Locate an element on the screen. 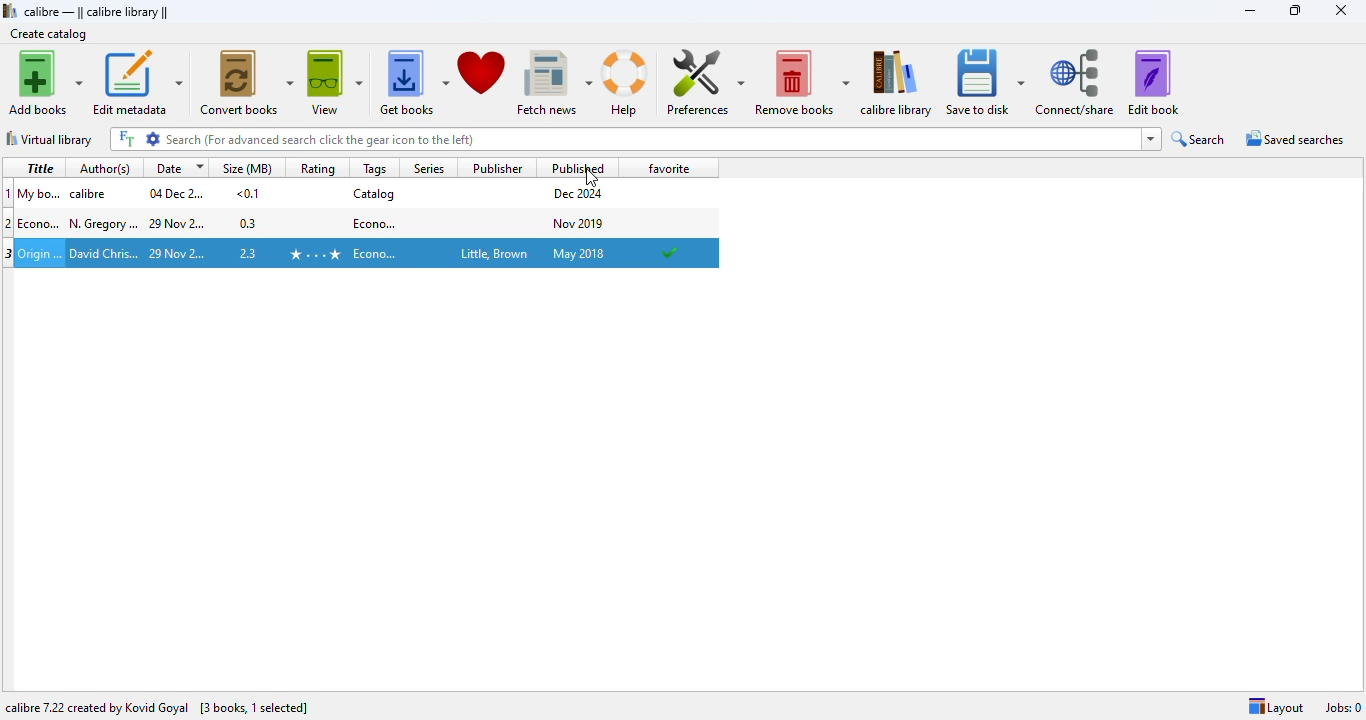 The height and width of the screenshot is (720, 1366). added to favorites is located at coordinates (668, 254).